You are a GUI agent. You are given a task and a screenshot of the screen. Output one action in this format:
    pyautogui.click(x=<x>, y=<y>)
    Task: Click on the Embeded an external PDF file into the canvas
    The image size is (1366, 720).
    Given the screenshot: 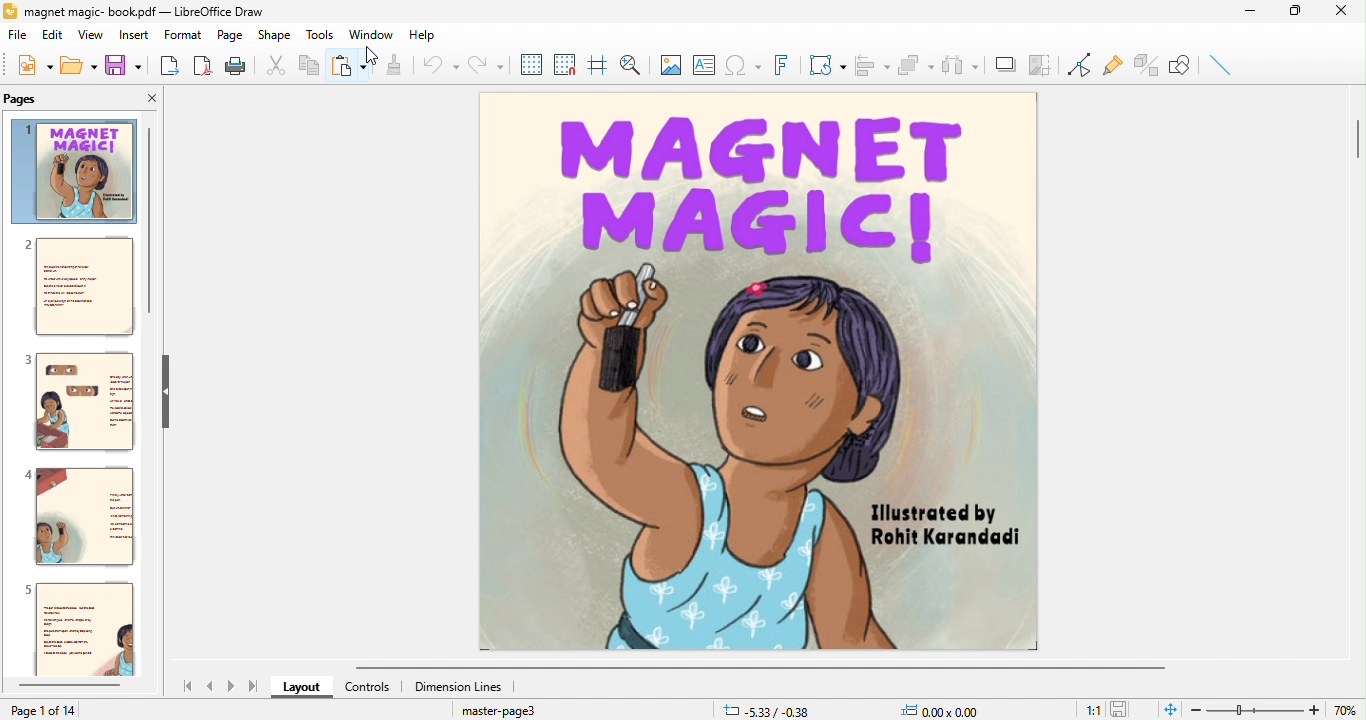 What is the action you would take?
    pyautogui.click(x=764, y=373)
    